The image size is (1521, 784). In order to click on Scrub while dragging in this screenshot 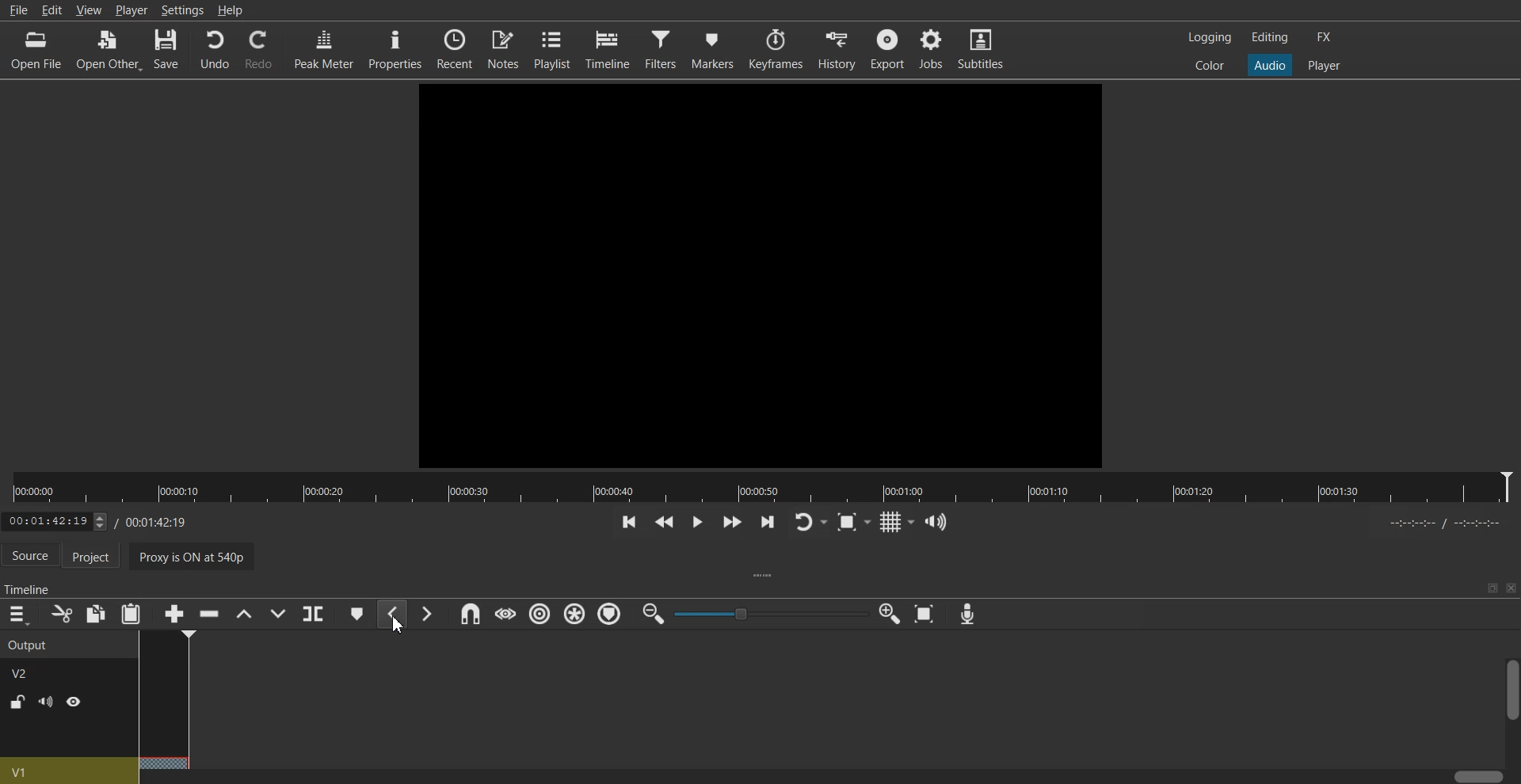, I will do `click(505, 614)`.